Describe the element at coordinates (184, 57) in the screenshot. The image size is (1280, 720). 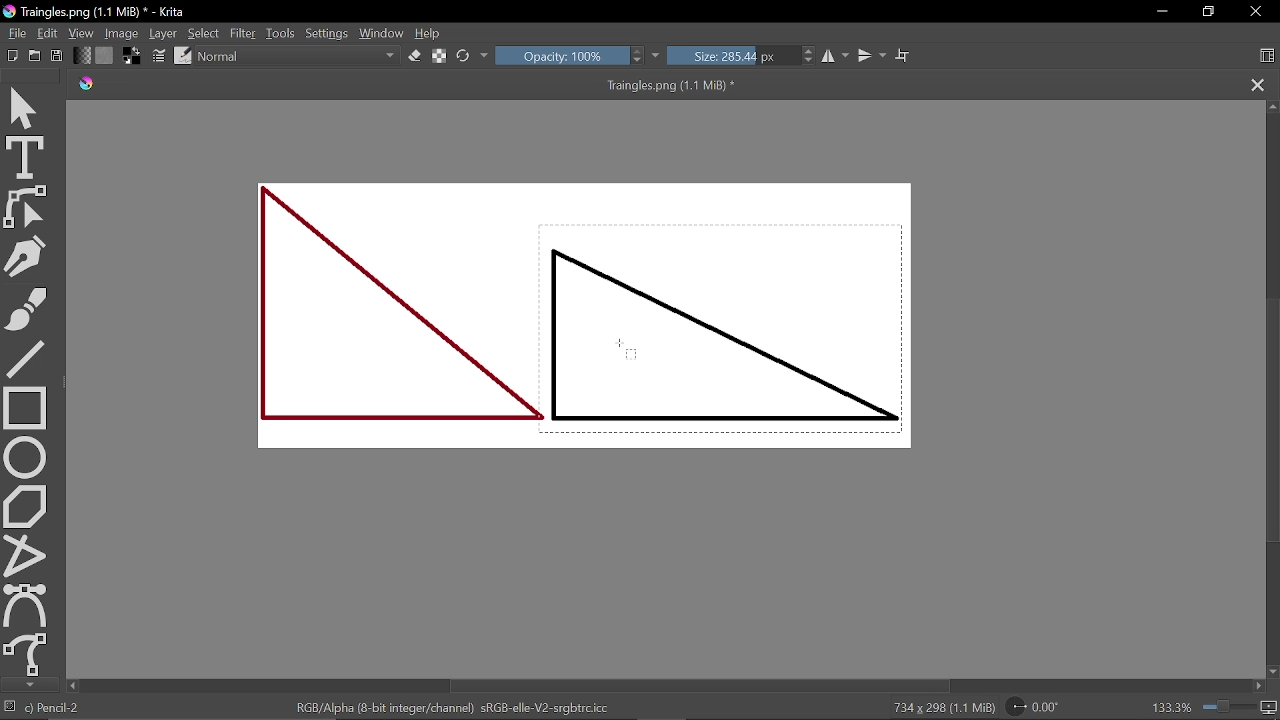
I see `Edit brush preset` at that location.